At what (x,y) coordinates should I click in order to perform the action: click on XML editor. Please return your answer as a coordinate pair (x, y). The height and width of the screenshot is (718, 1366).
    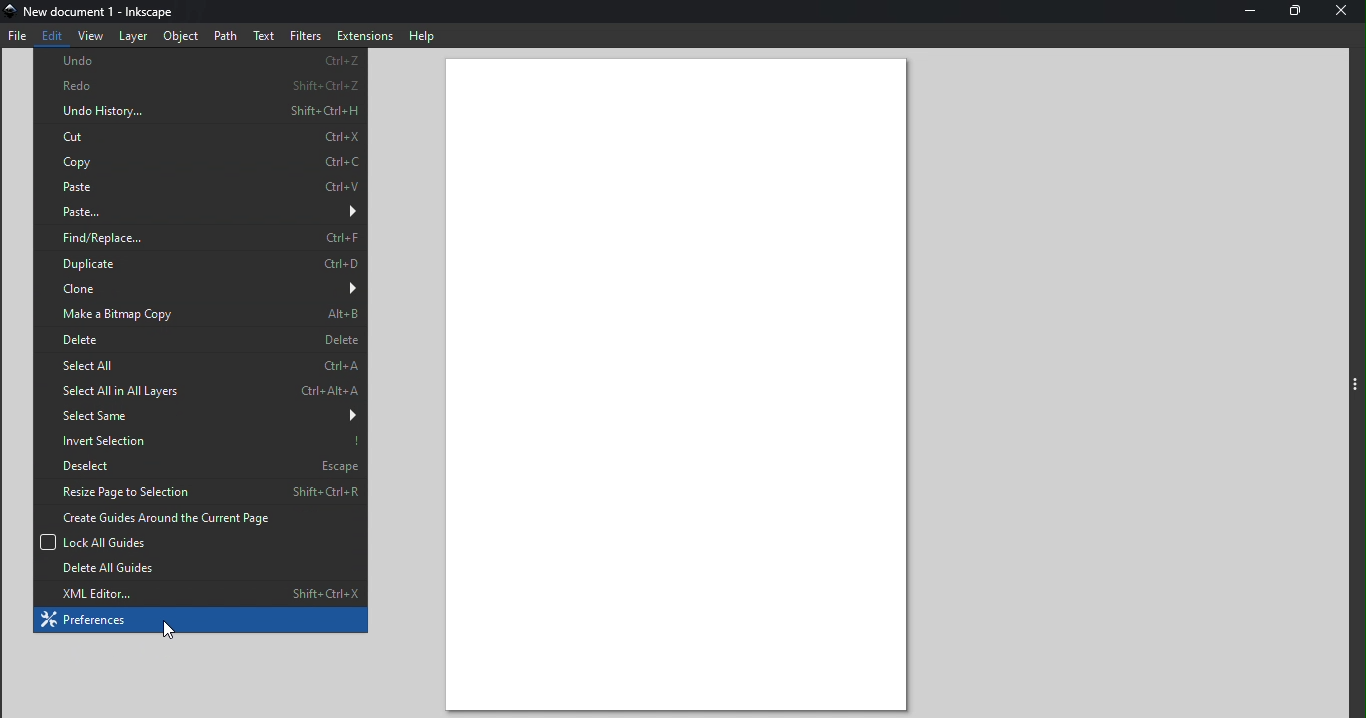
    Looking at the image, I should click on (200, 593).